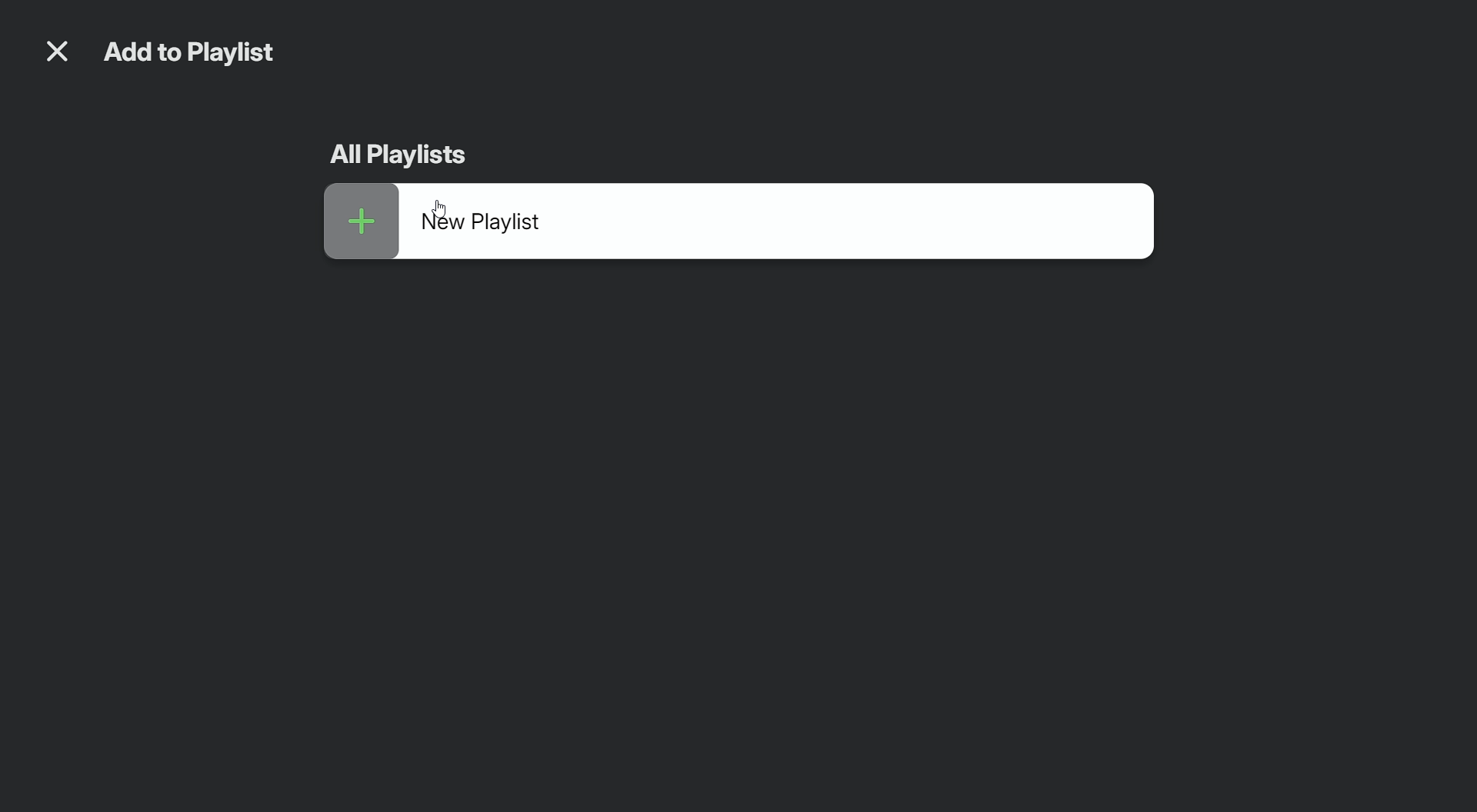 This screenshot has height=812, width=1477. What do you see at coordinates (202, 55) in the screenshot?
I see `Add to Playlist` at bounding box center [202, 55].